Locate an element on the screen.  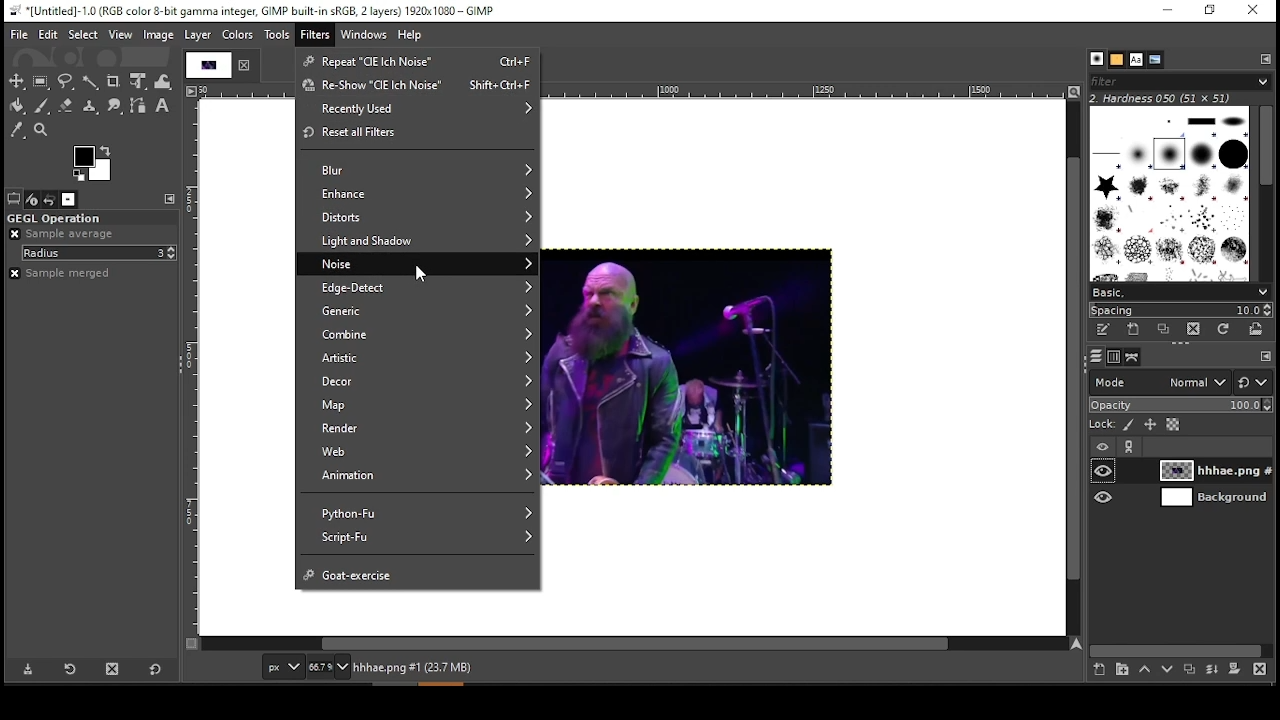
scroll bar is located at coordinates (1179, 648).